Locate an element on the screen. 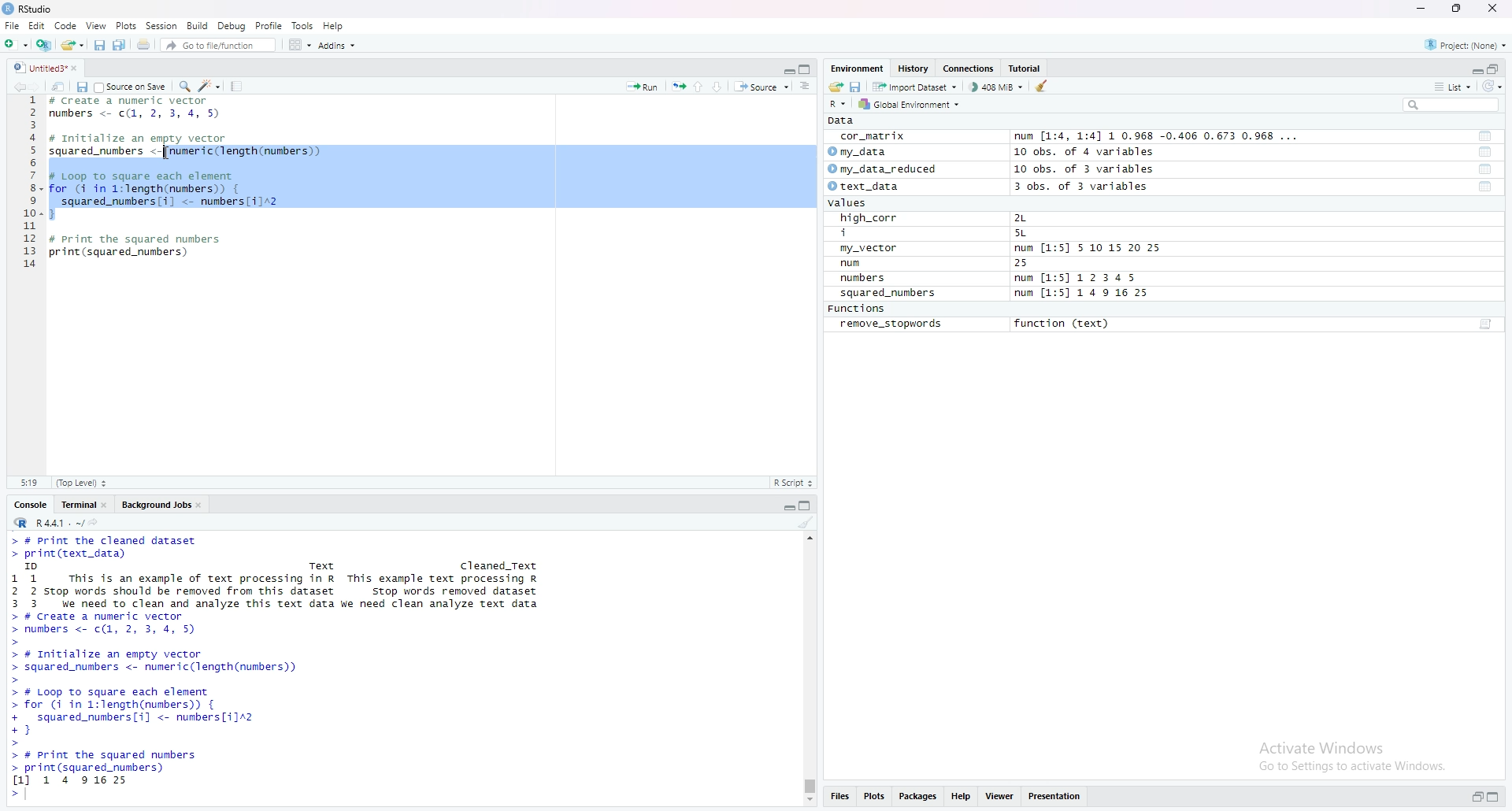 This screenshot has height=811, width=1512. Open an existing file is located at coordinates (72, 43).